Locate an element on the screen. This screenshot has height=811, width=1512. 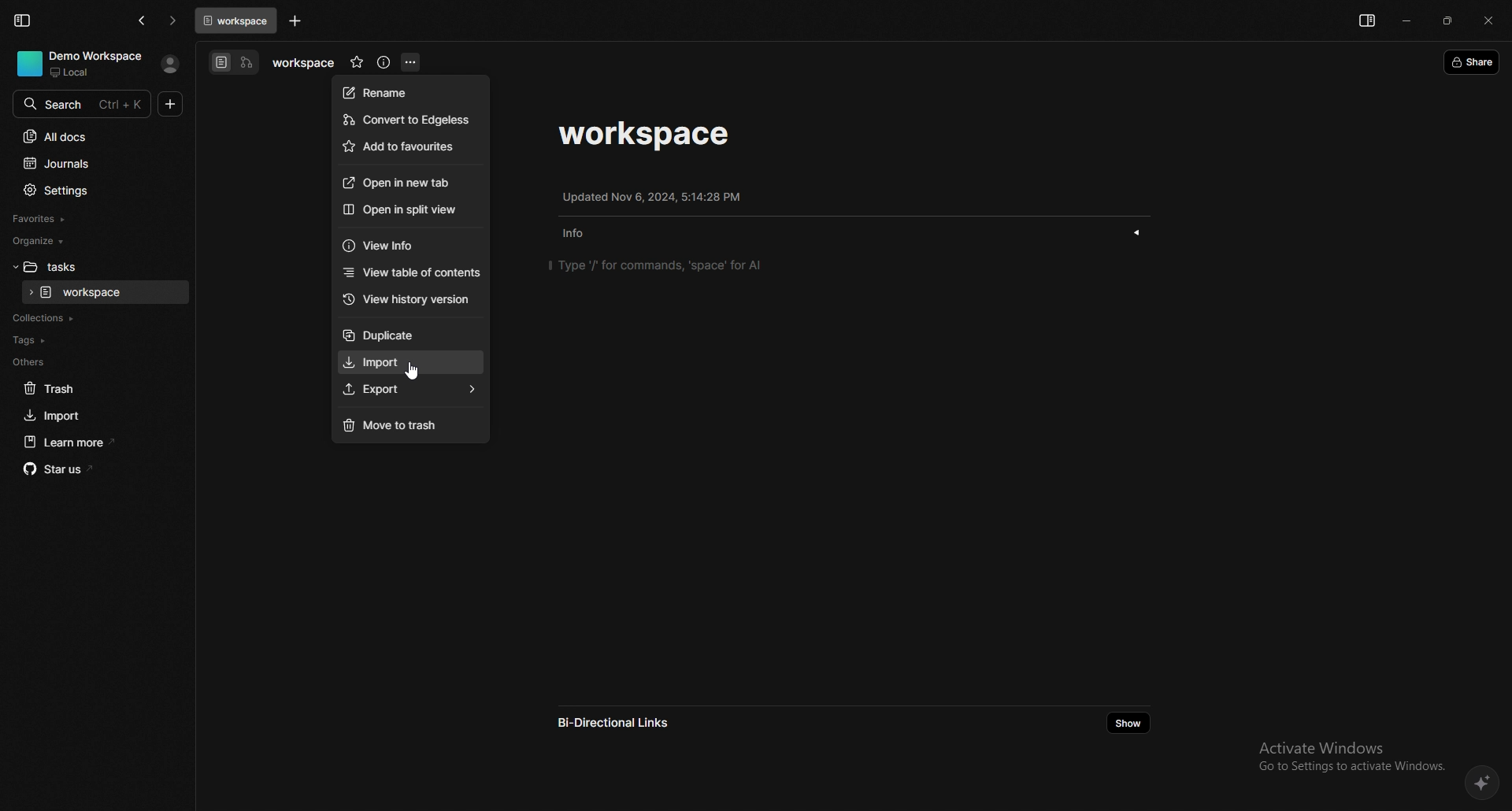
others is located at coordinates (89, 362).